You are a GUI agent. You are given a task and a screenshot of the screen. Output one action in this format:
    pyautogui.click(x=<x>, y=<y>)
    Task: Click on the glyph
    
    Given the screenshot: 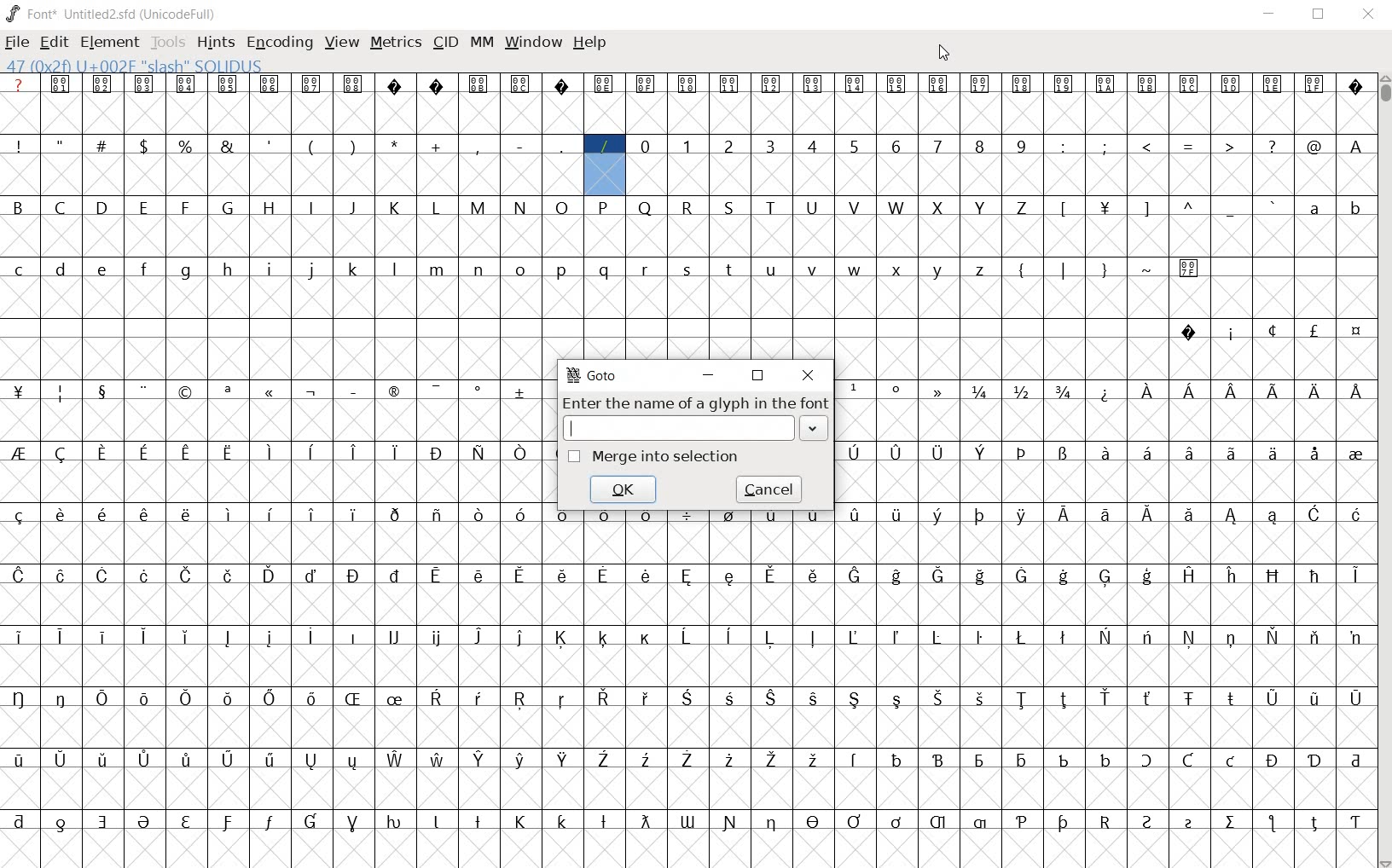 What is the action you would take?
    pyautogui.click(x=520, y=147)
    